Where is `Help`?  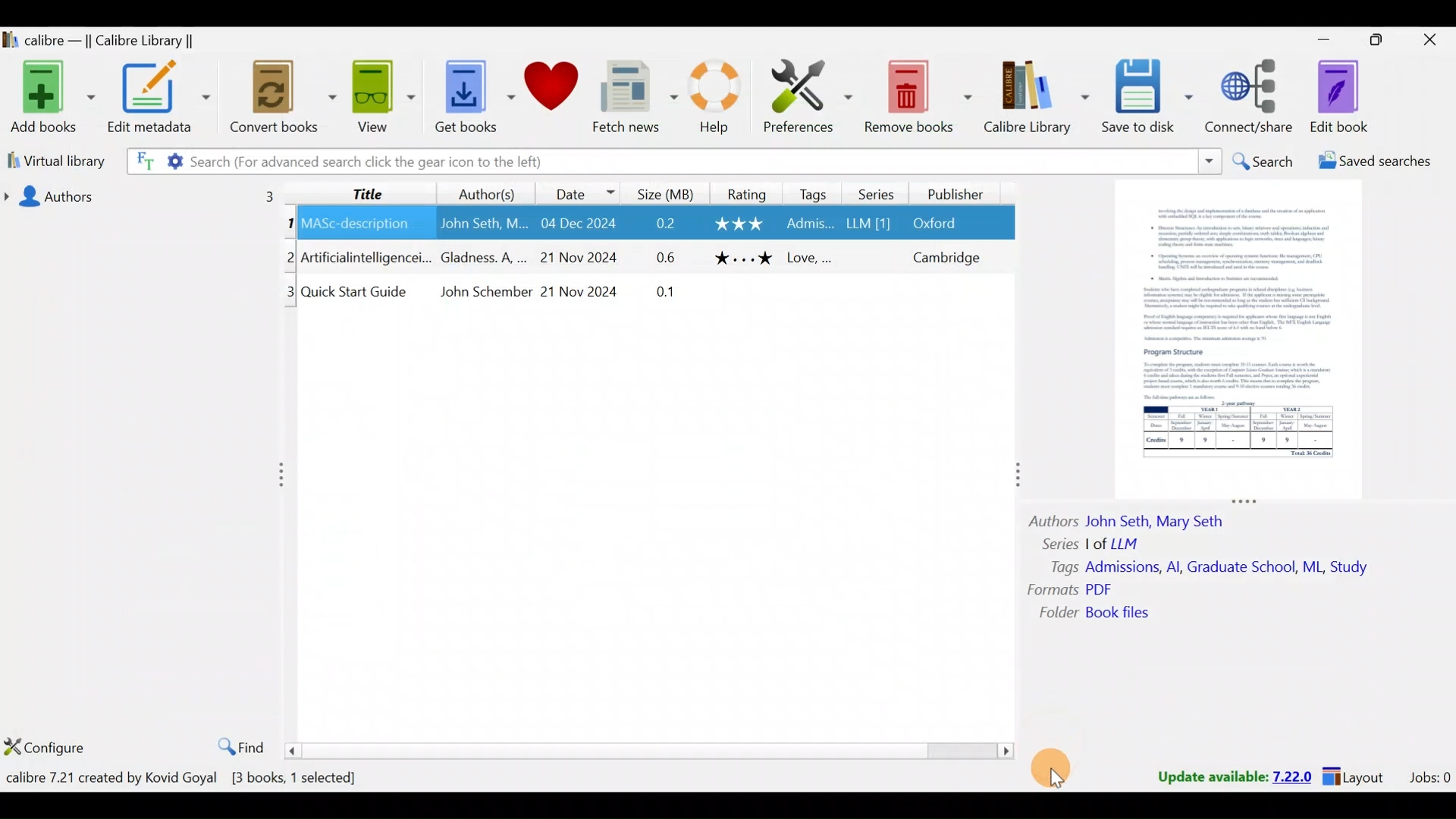
Help is located at coordinates (721, 102).